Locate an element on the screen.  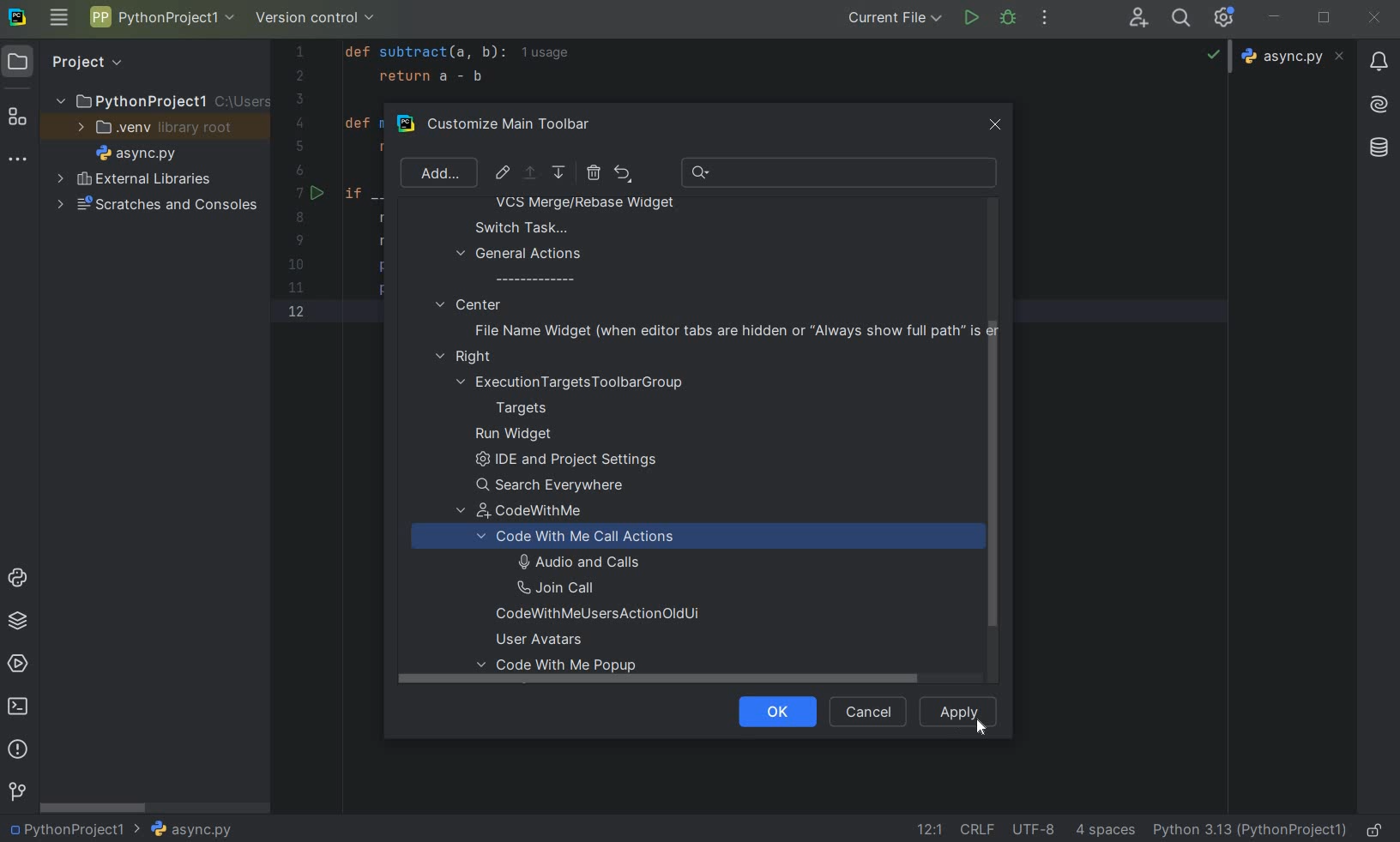
join call is located at coordinates (576, 588).